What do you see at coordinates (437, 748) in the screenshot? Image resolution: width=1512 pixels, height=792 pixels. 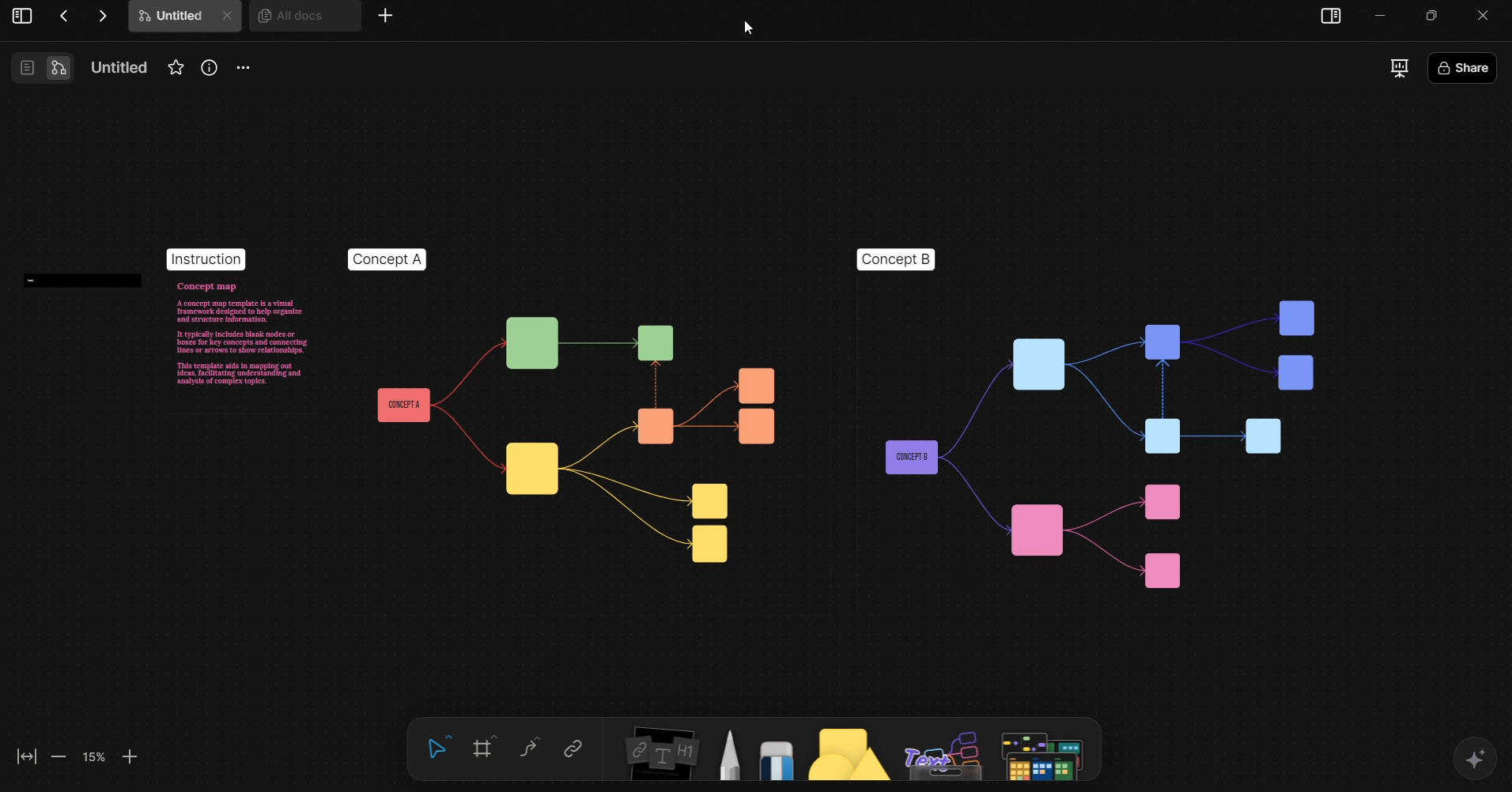 I see `selection tool` at bounding box center [437, 748].